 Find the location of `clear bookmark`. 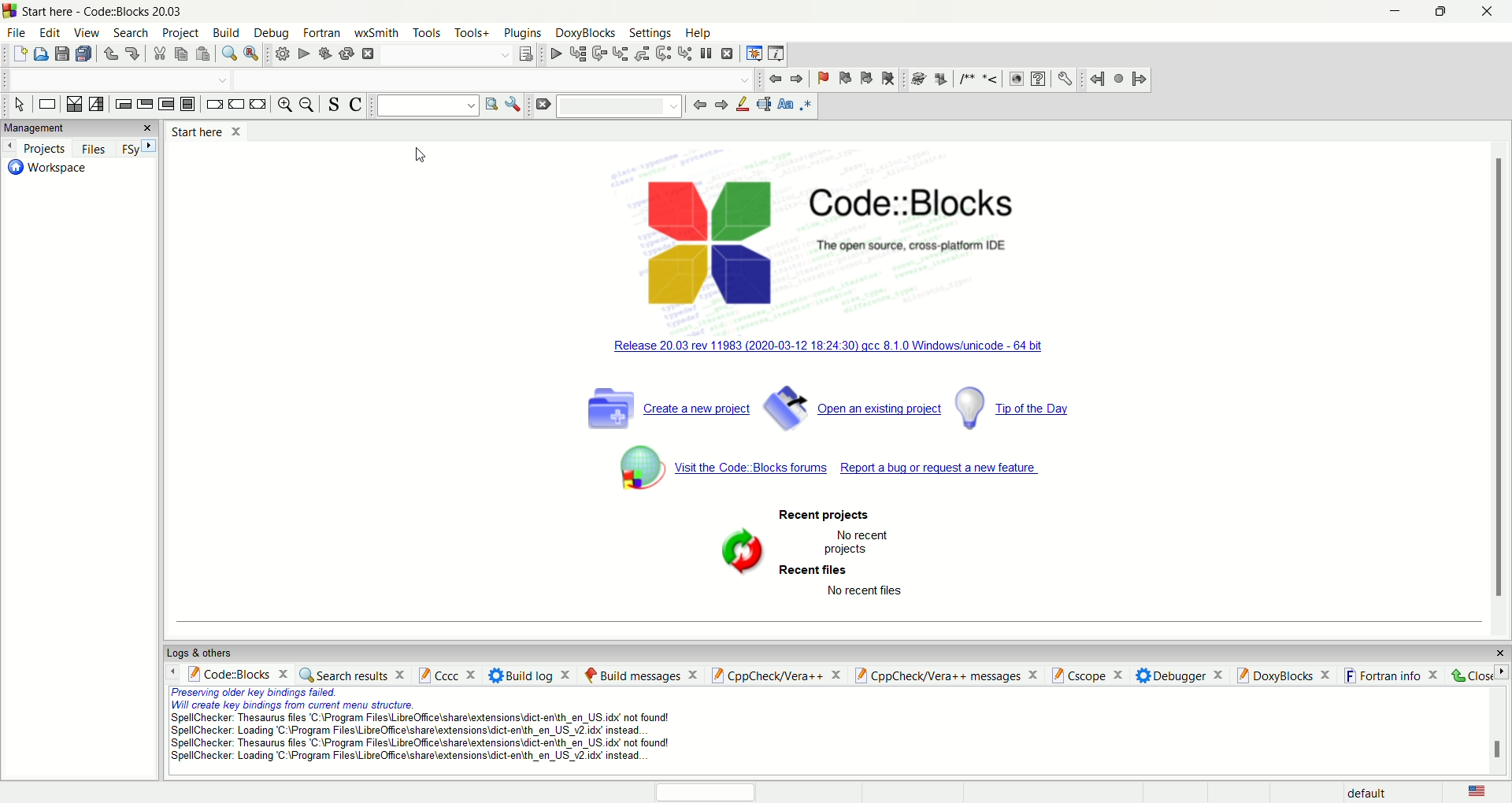

clear bookmark is located at coordinates (887, 79).